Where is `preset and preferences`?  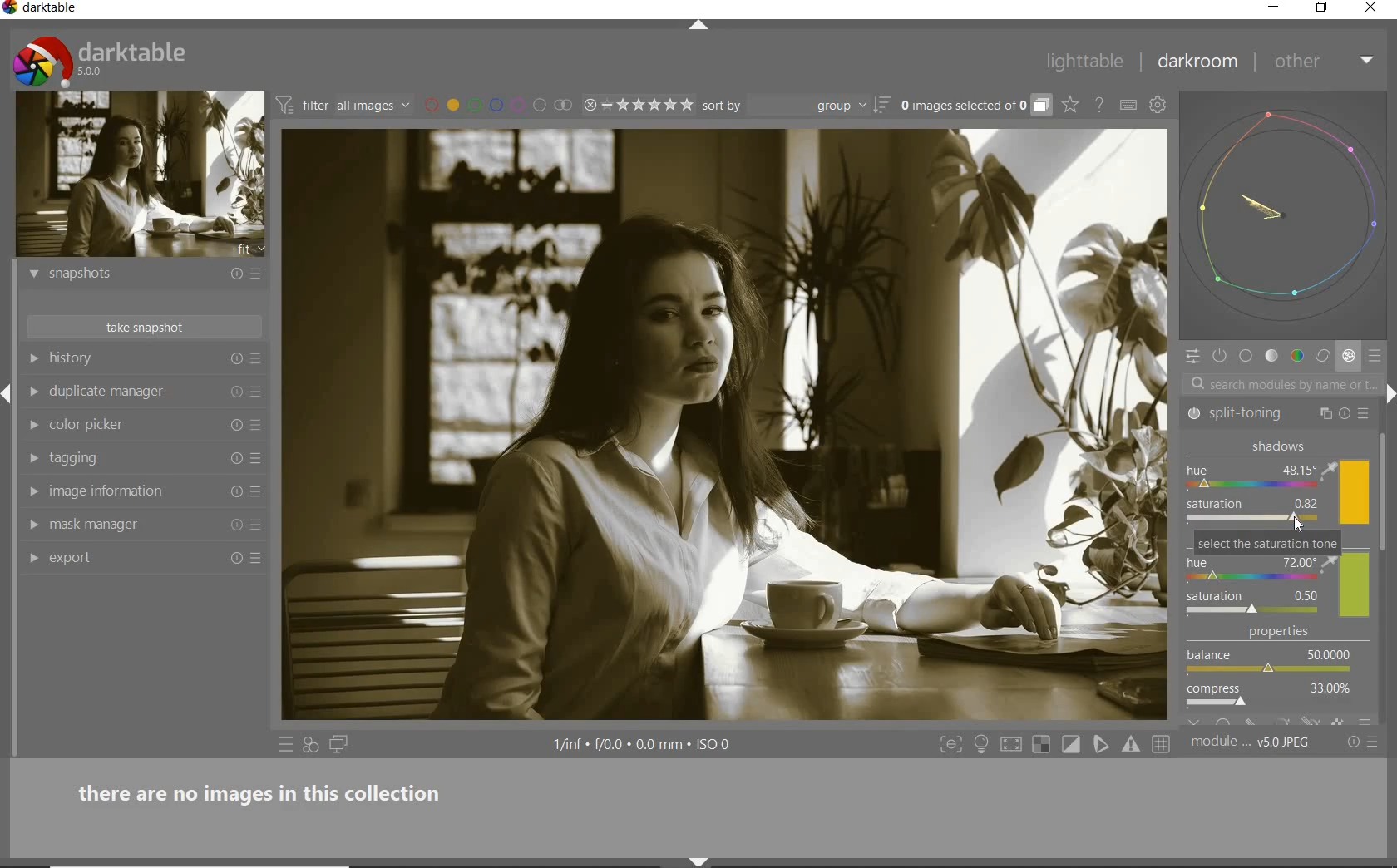
preset and preferences is located at coordinates (259, 459).